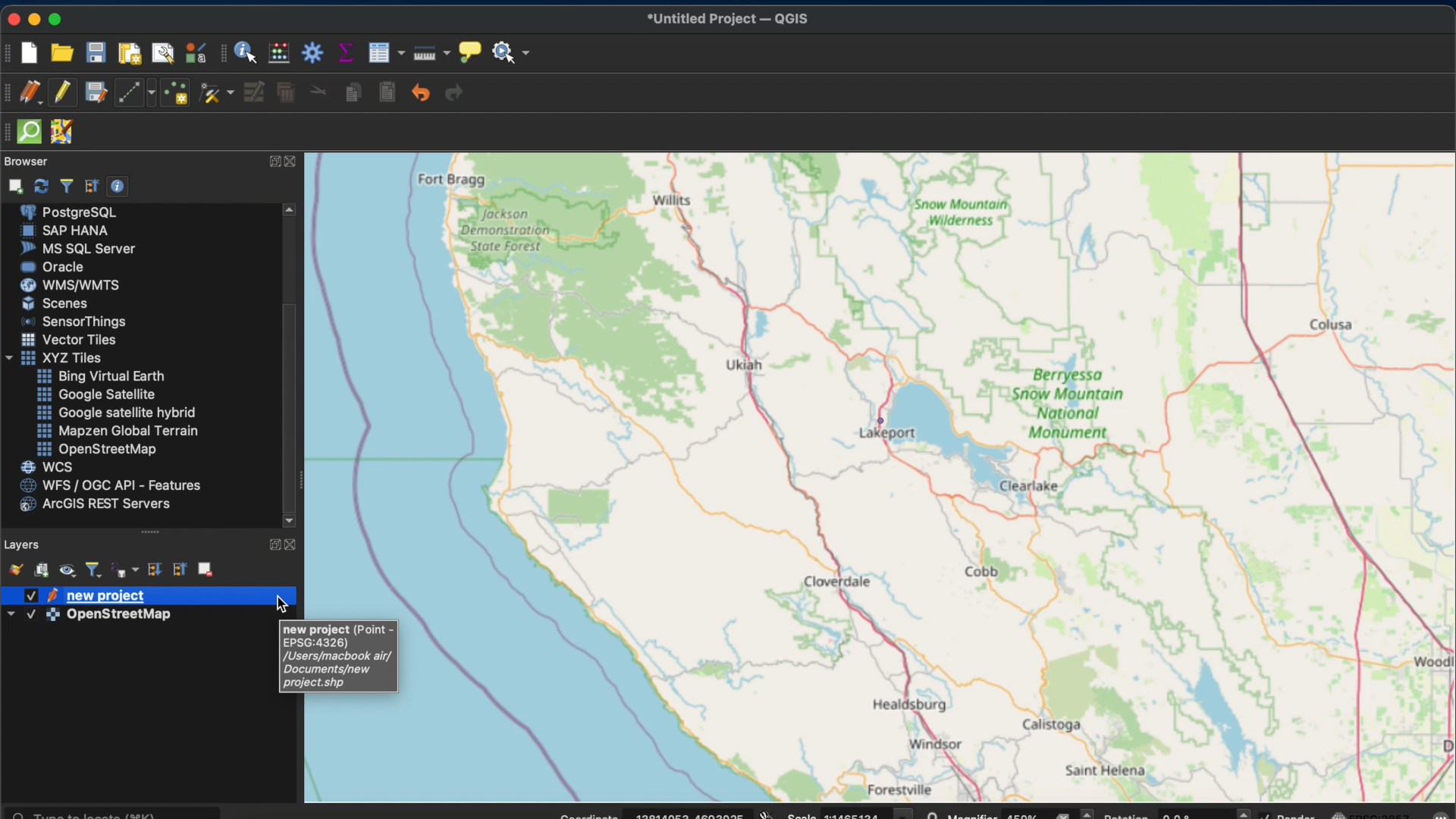 Image resolution: width=1456 pixels, height=819 pixels. What do you see at coordinates (42, 184) in the screenshot?
I see `refresh` at bounding box center [42, 184].